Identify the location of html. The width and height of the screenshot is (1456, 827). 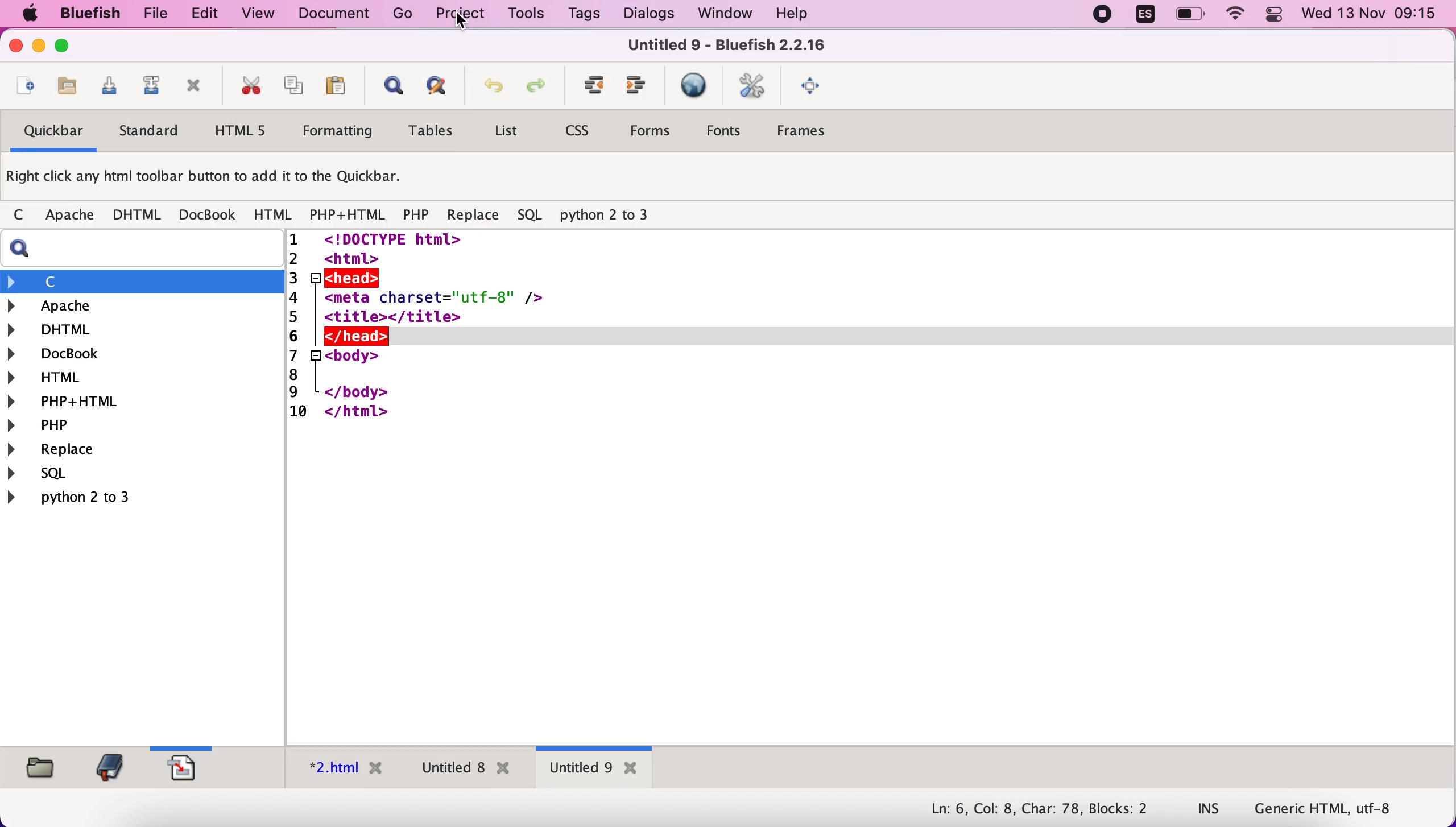
(143, 376).